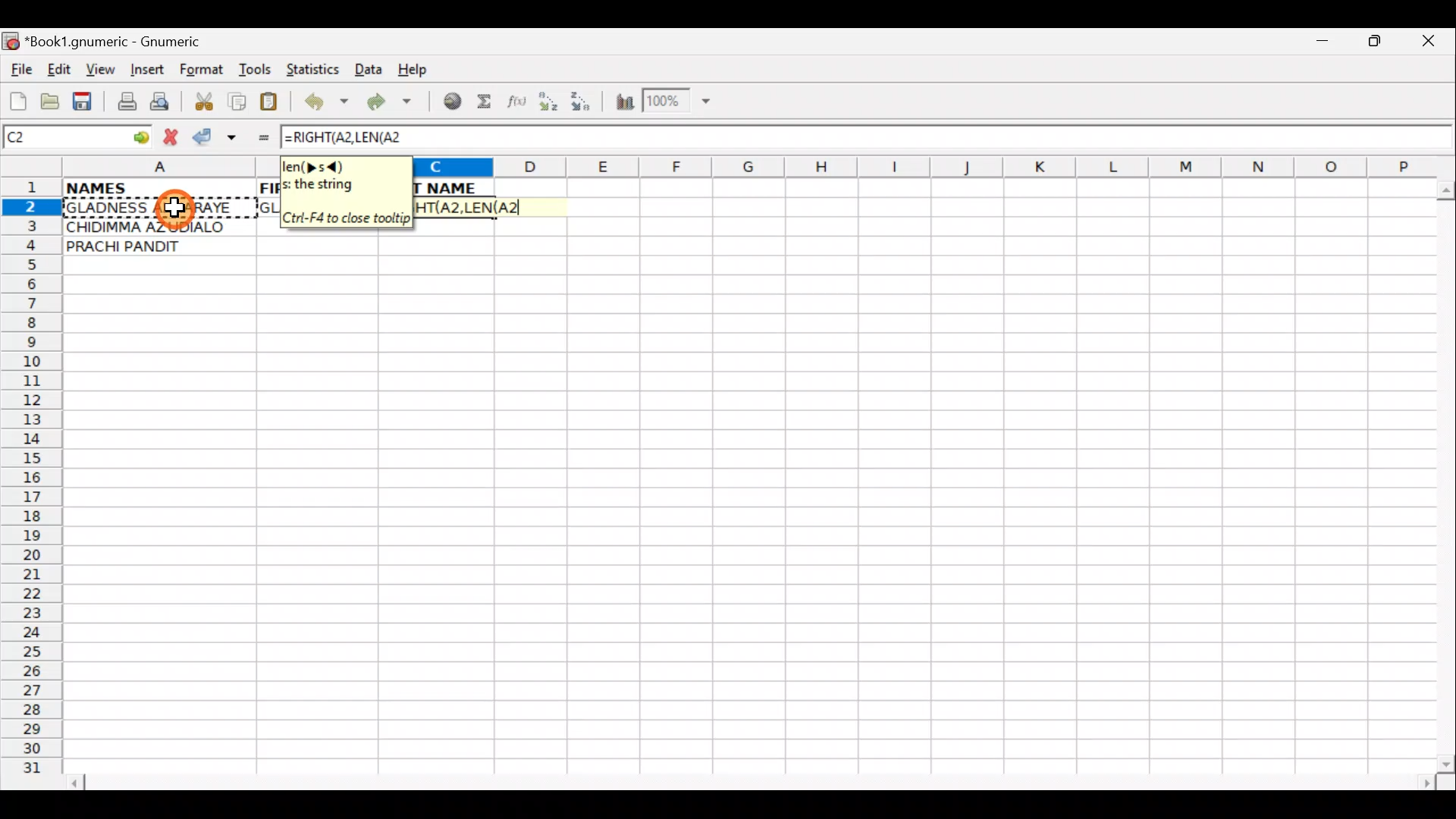  Describe the element at coordinates (203, 99) in the screenshot. I see `Cut selection` at that location.